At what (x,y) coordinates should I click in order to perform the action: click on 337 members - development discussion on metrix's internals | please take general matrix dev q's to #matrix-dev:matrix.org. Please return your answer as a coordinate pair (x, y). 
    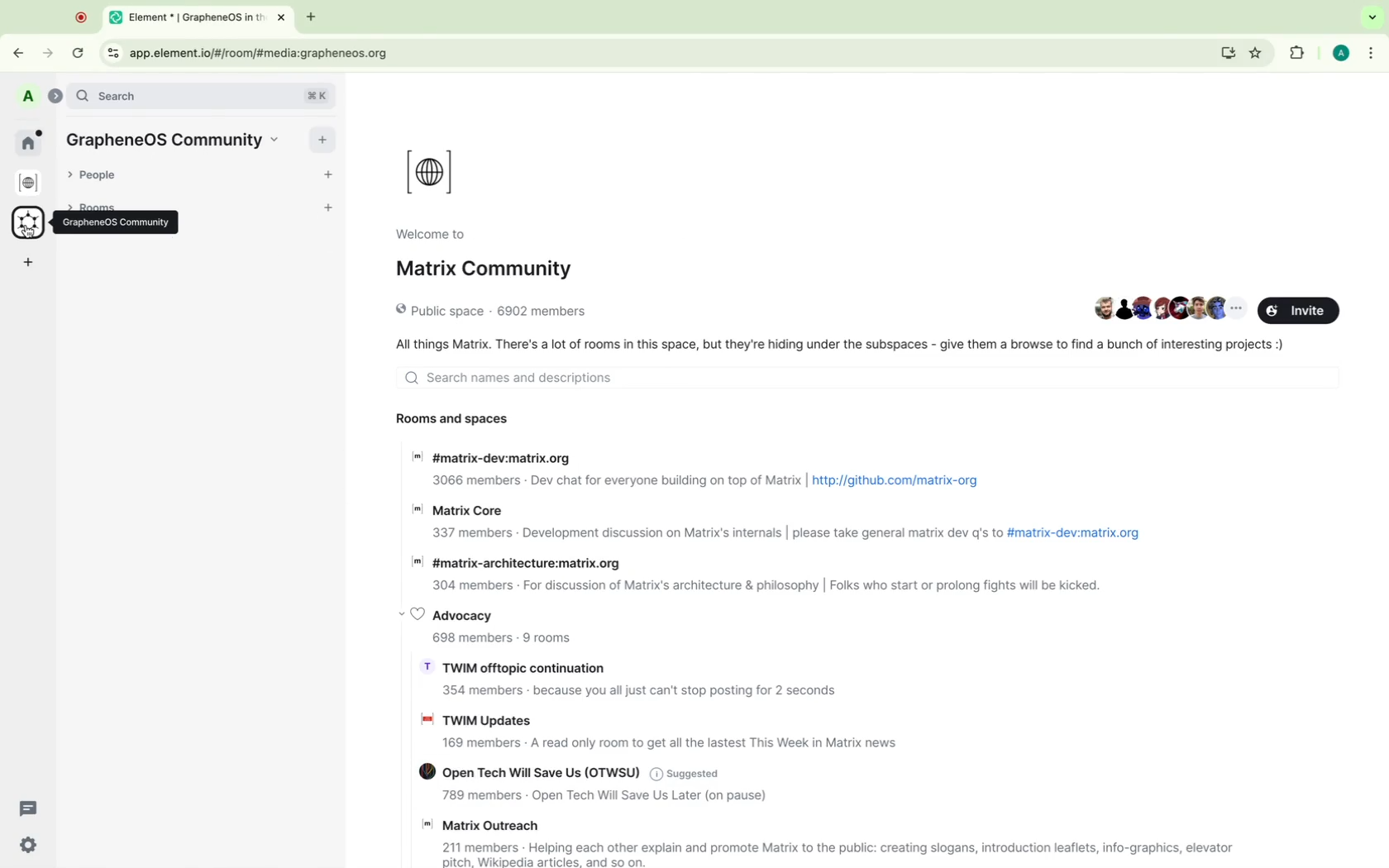
    Looking at the image, I should click on (785, 532).